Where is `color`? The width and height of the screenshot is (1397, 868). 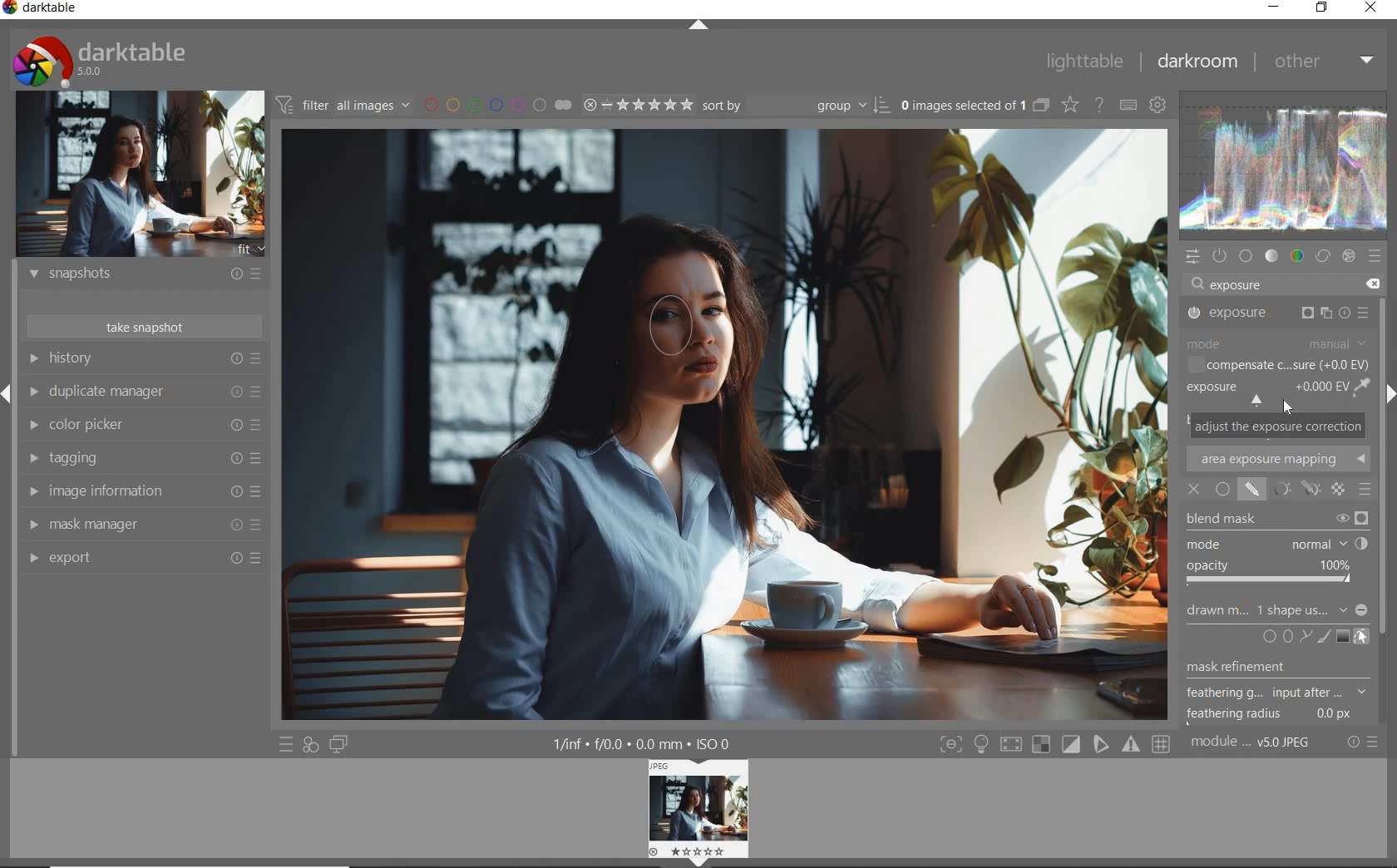
color is located at coordinates (1298, 256).